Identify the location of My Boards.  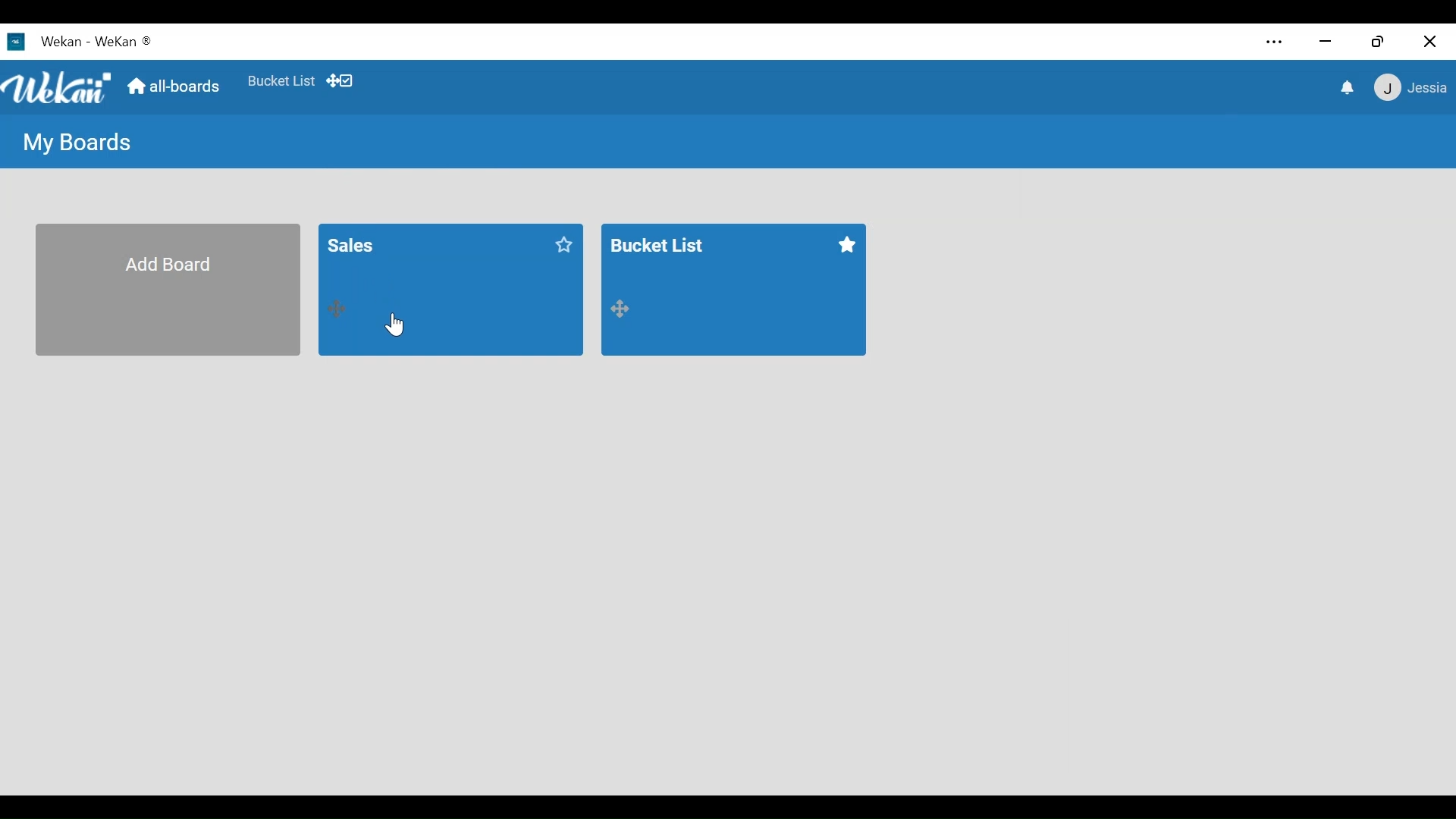
(77, 143).